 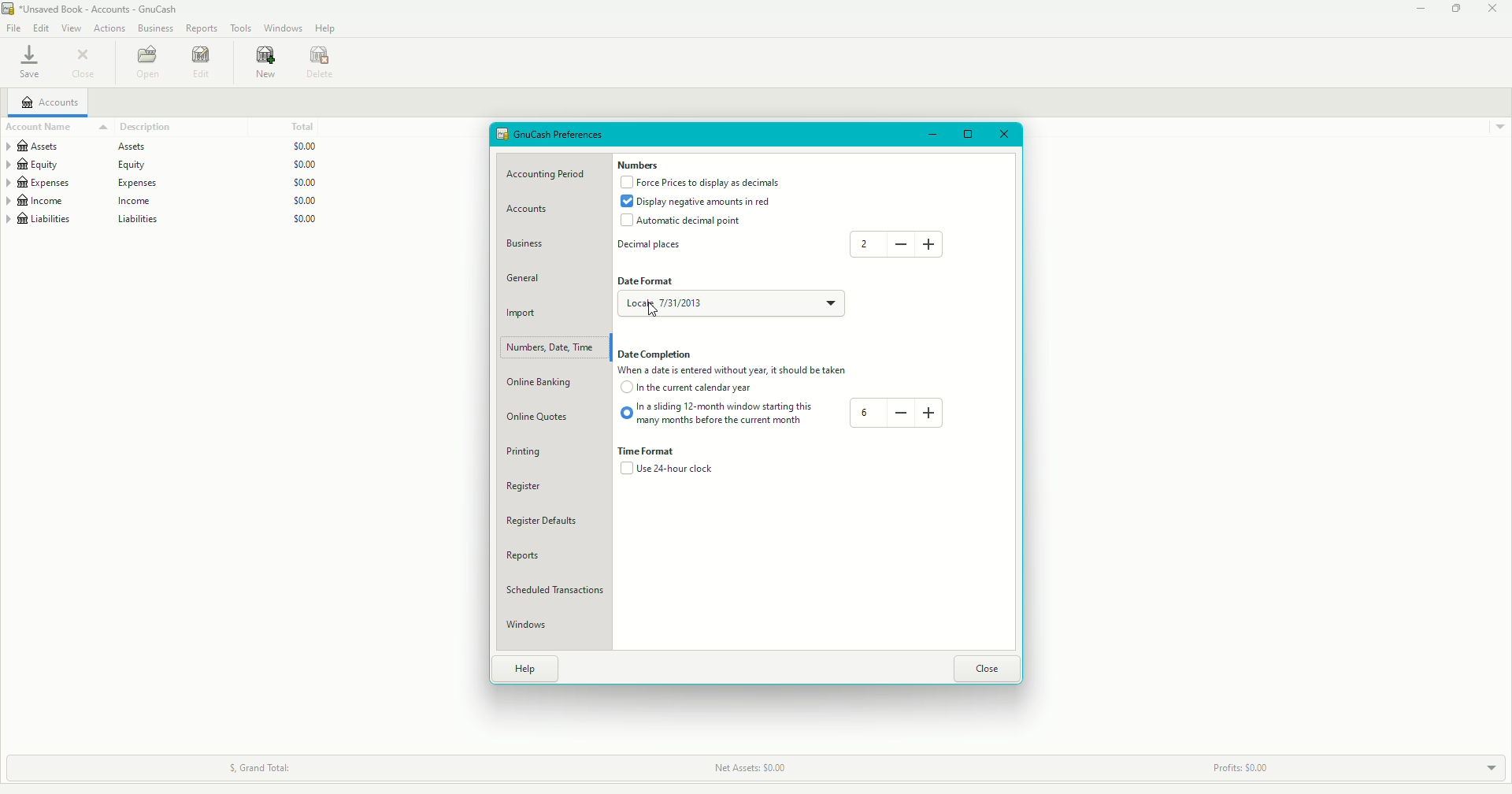 I want to click on Minus, so click(x=899, y=412).